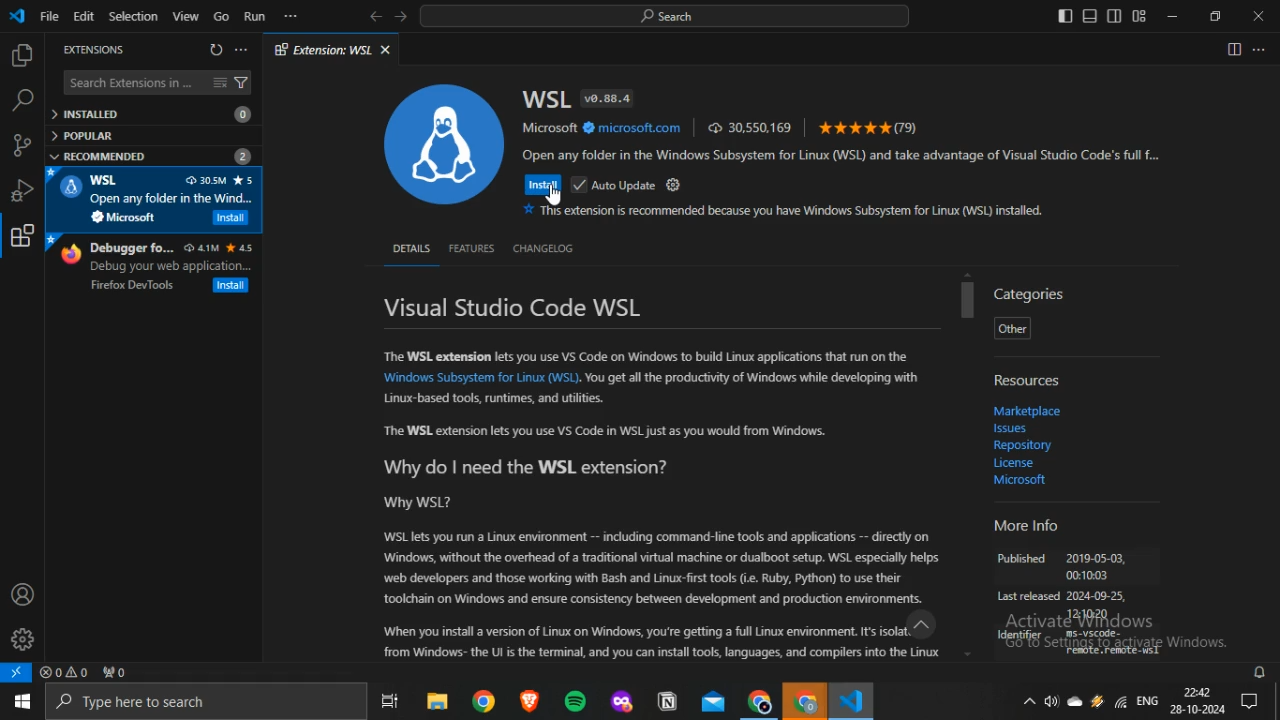 This screenshot has width=1280, height=720. Describe the element at coordinates (242, 83) in the screenshot. I see `filter` at that location.